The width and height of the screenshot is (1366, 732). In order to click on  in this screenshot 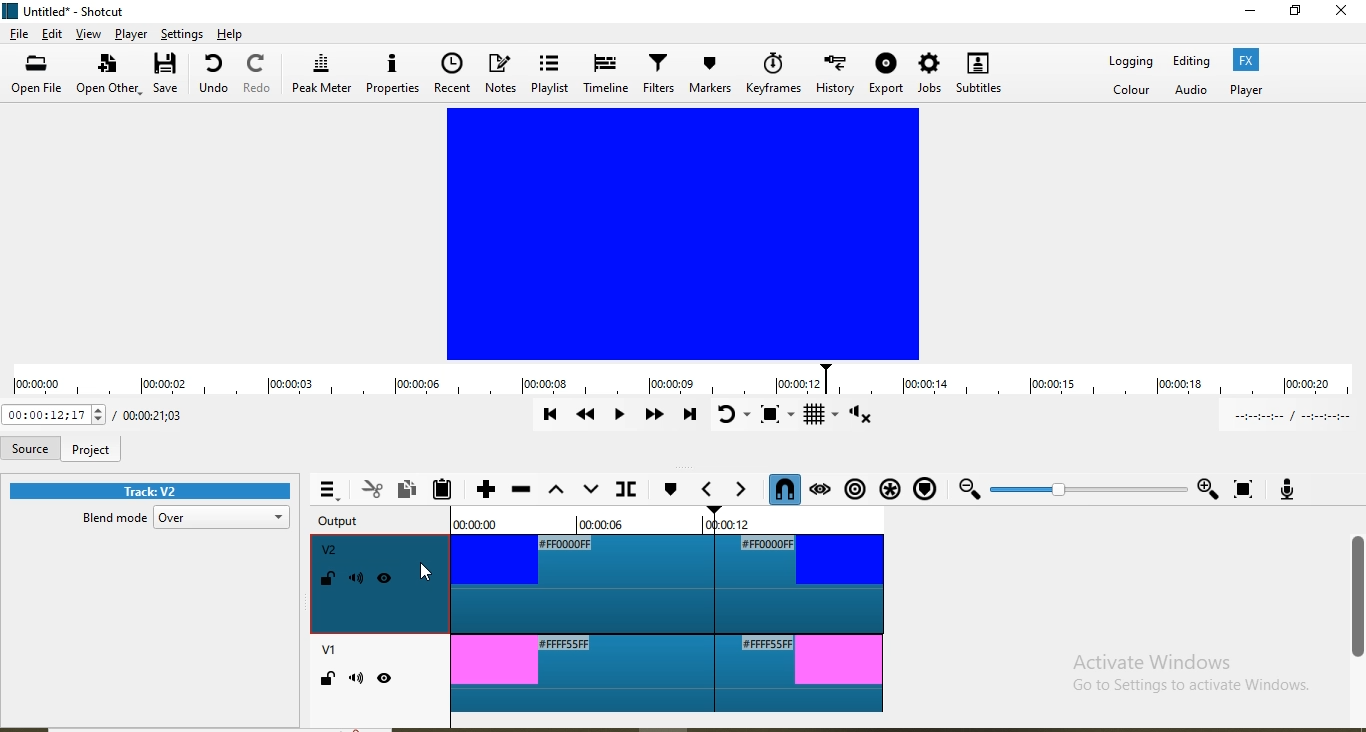, I will do `click(332, 489)`.